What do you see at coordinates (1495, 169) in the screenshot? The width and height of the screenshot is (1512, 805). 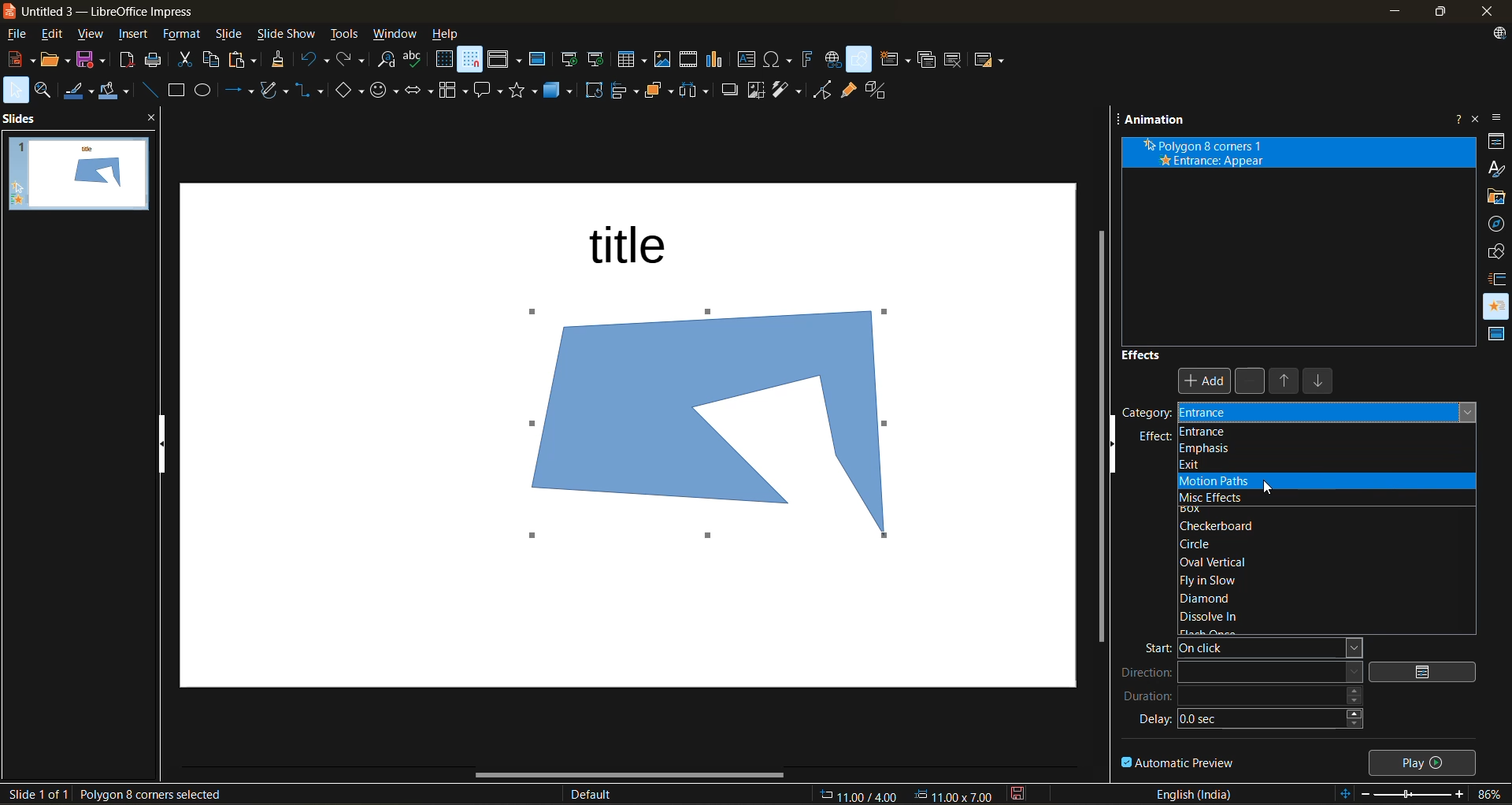 I see `styles` at bounding box center [1495, 169].